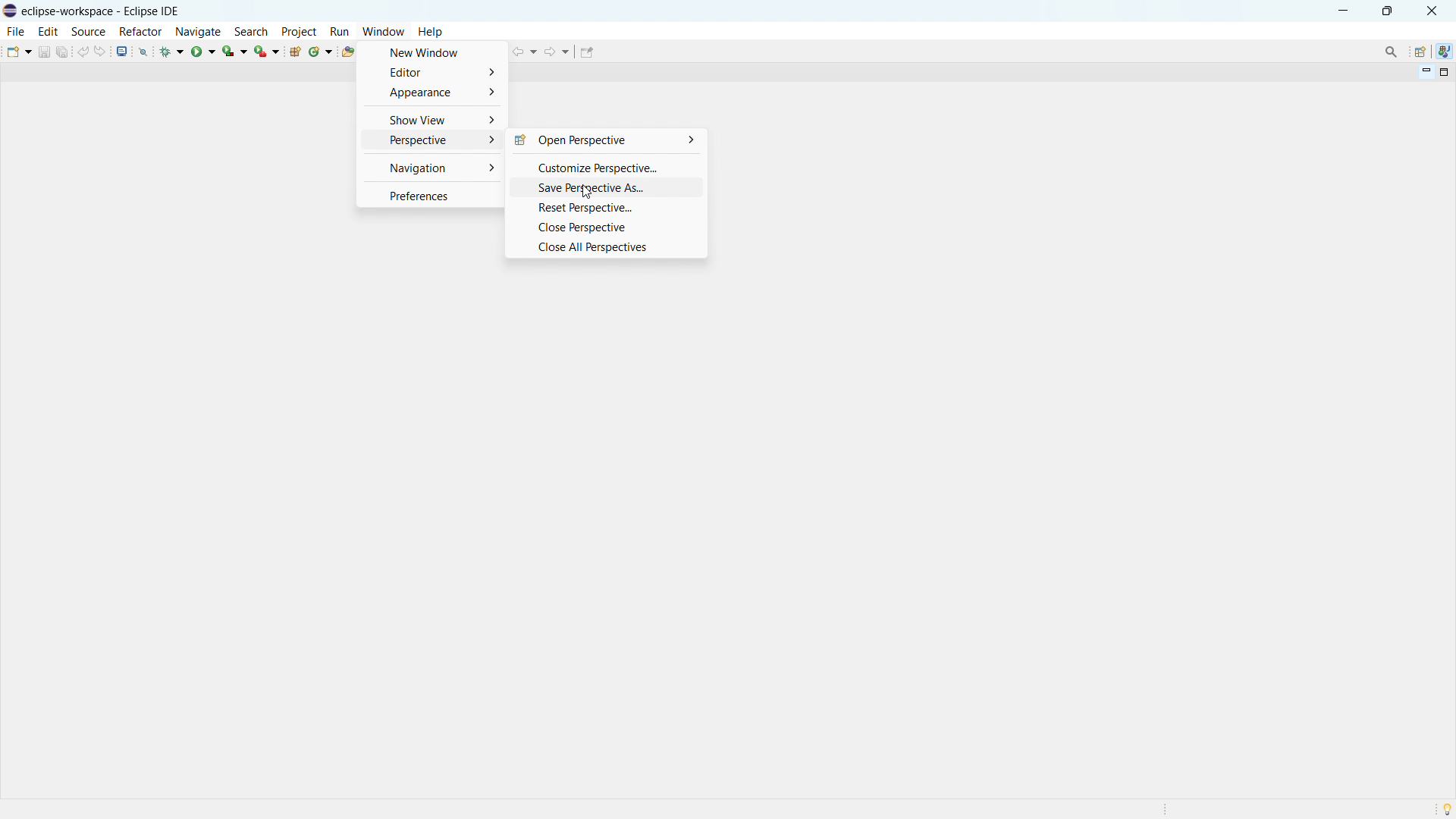  I want to click on open perspective, so click(1420, 52).